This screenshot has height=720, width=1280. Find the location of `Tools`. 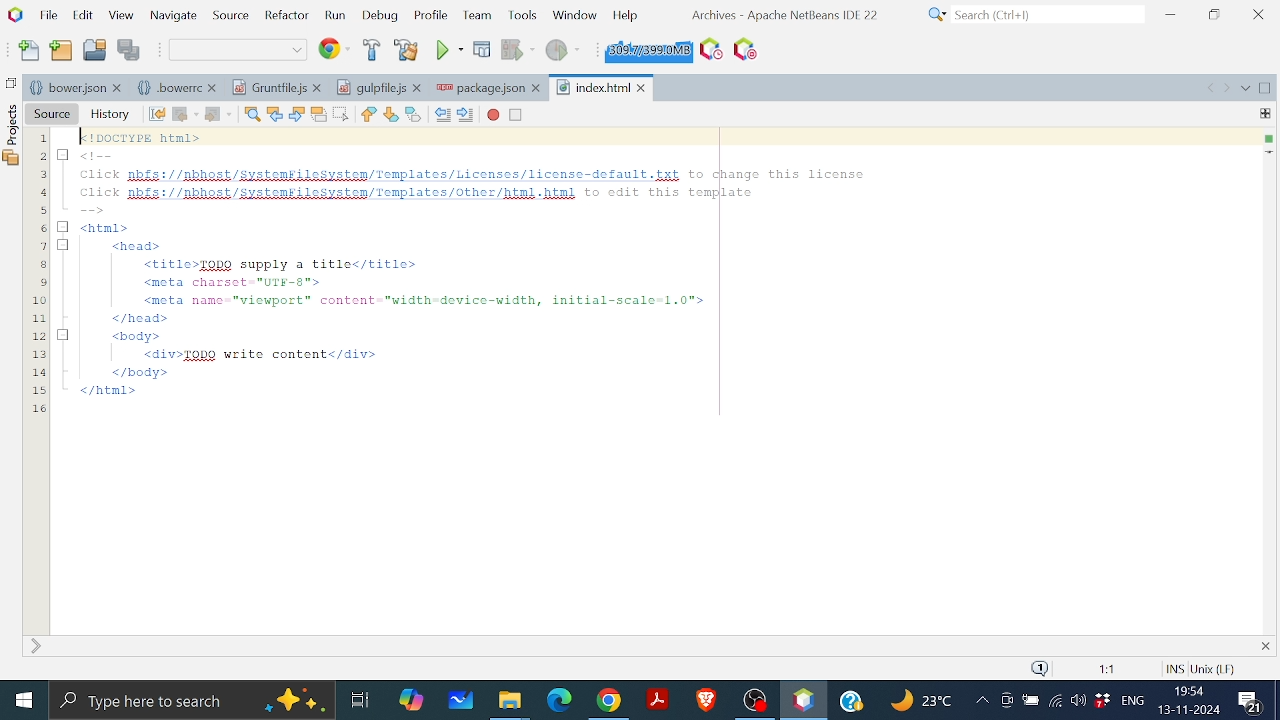

Tools is located at coordinates (524, 14).